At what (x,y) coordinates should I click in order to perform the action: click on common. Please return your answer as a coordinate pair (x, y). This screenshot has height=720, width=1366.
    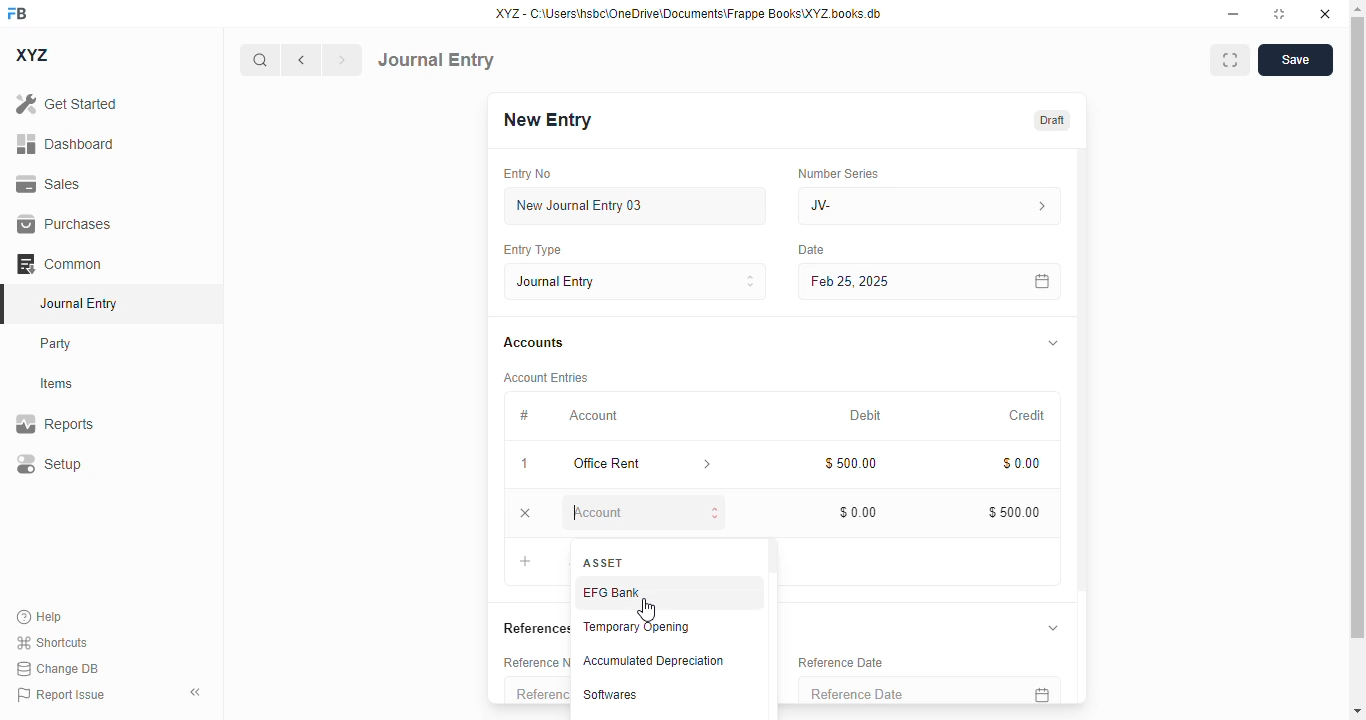
    Looking at the image, I should click on (59, 264).